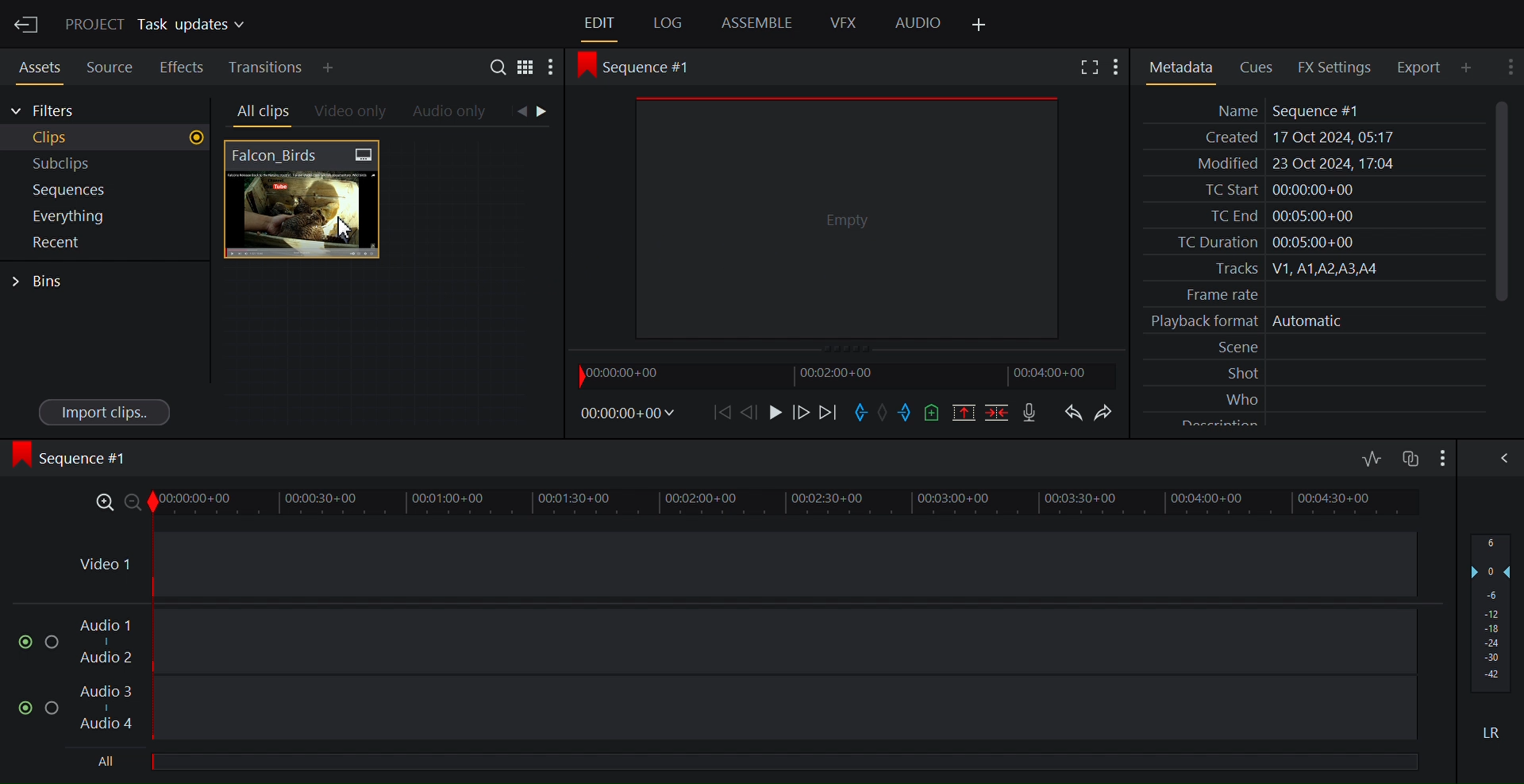 This screenshot has height=784, width=1524. What do you see at coordinates (1502, 200) in the screenshot?
I see `Vertical Scroll bar` at bounding box center [1502, 200].